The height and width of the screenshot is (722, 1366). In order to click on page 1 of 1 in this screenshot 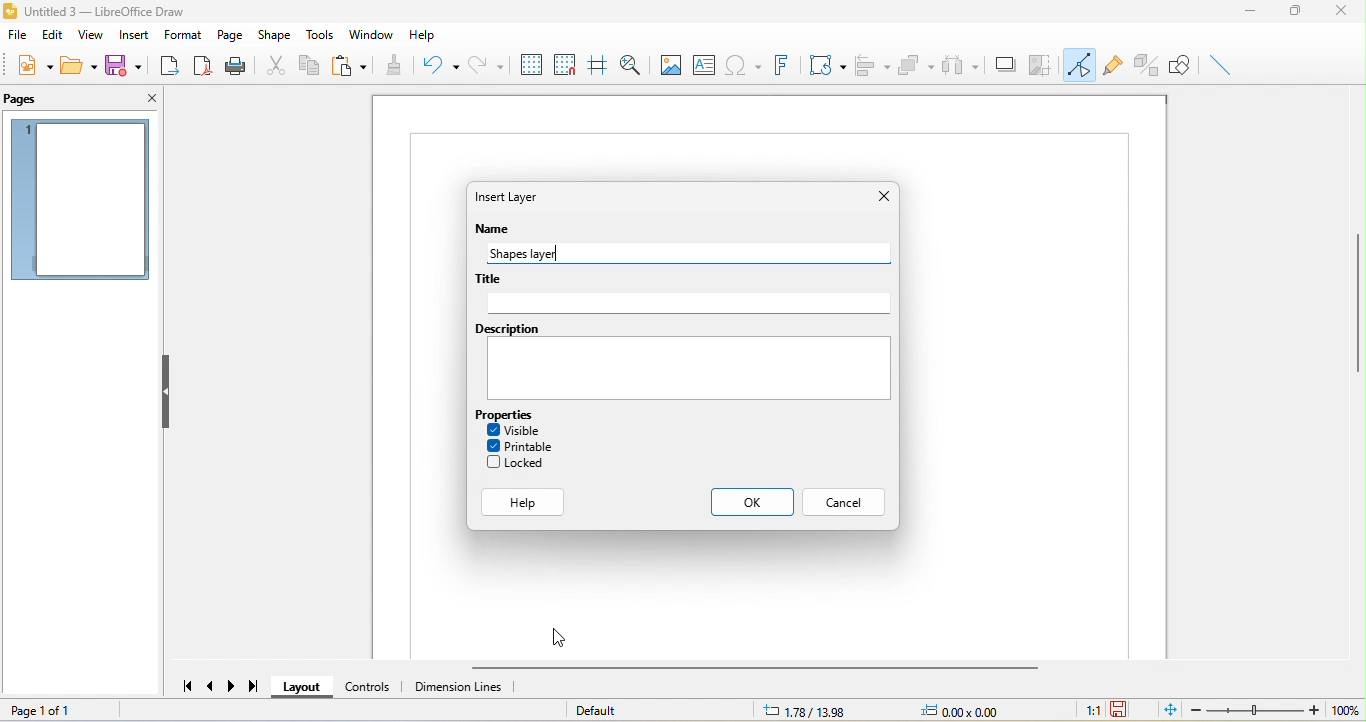, I will do `click(56, 709)`.